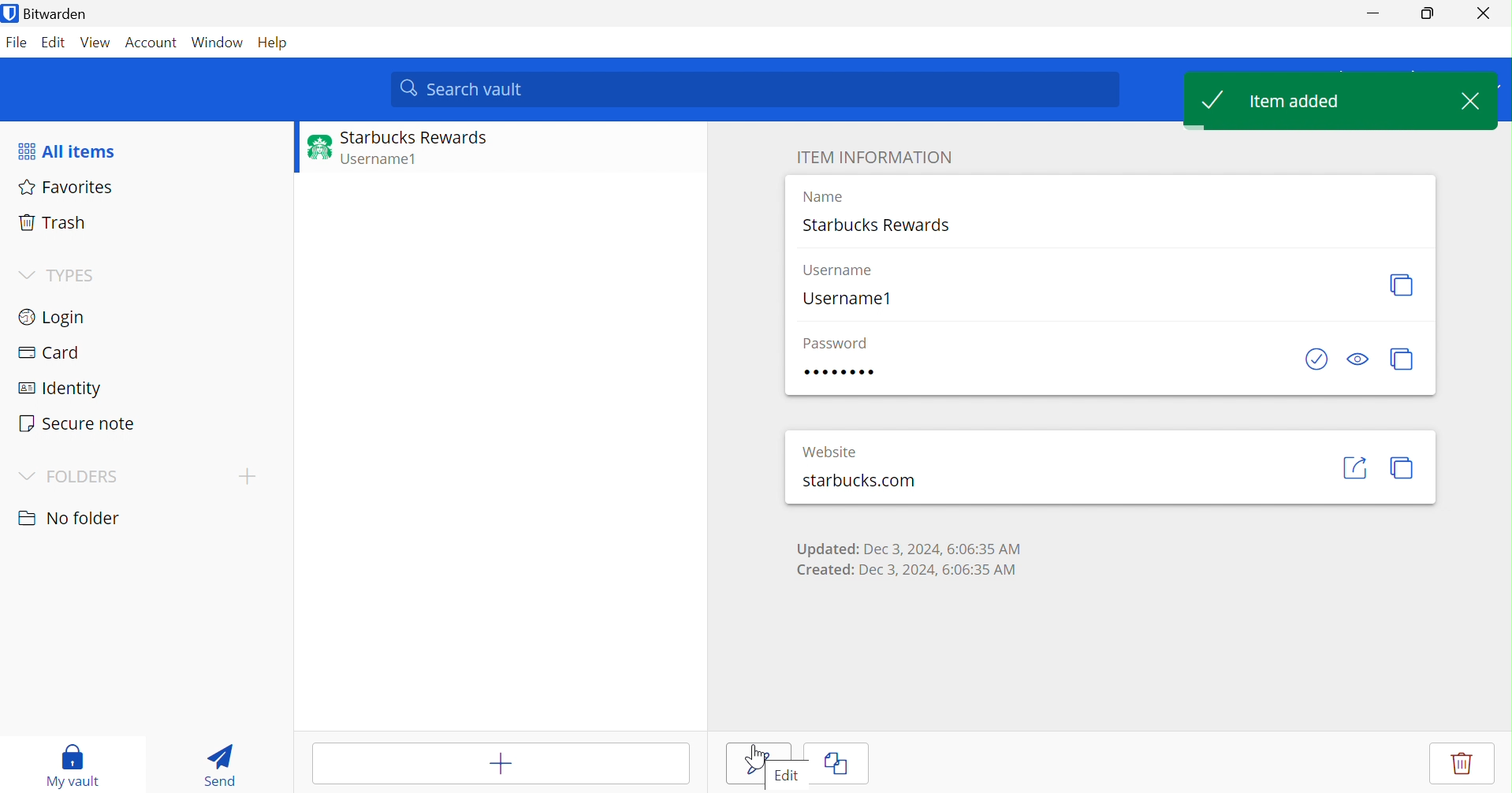  Describe the element at coordinates (1402, 285) in the screenshot. I see `Copy username` at that location.